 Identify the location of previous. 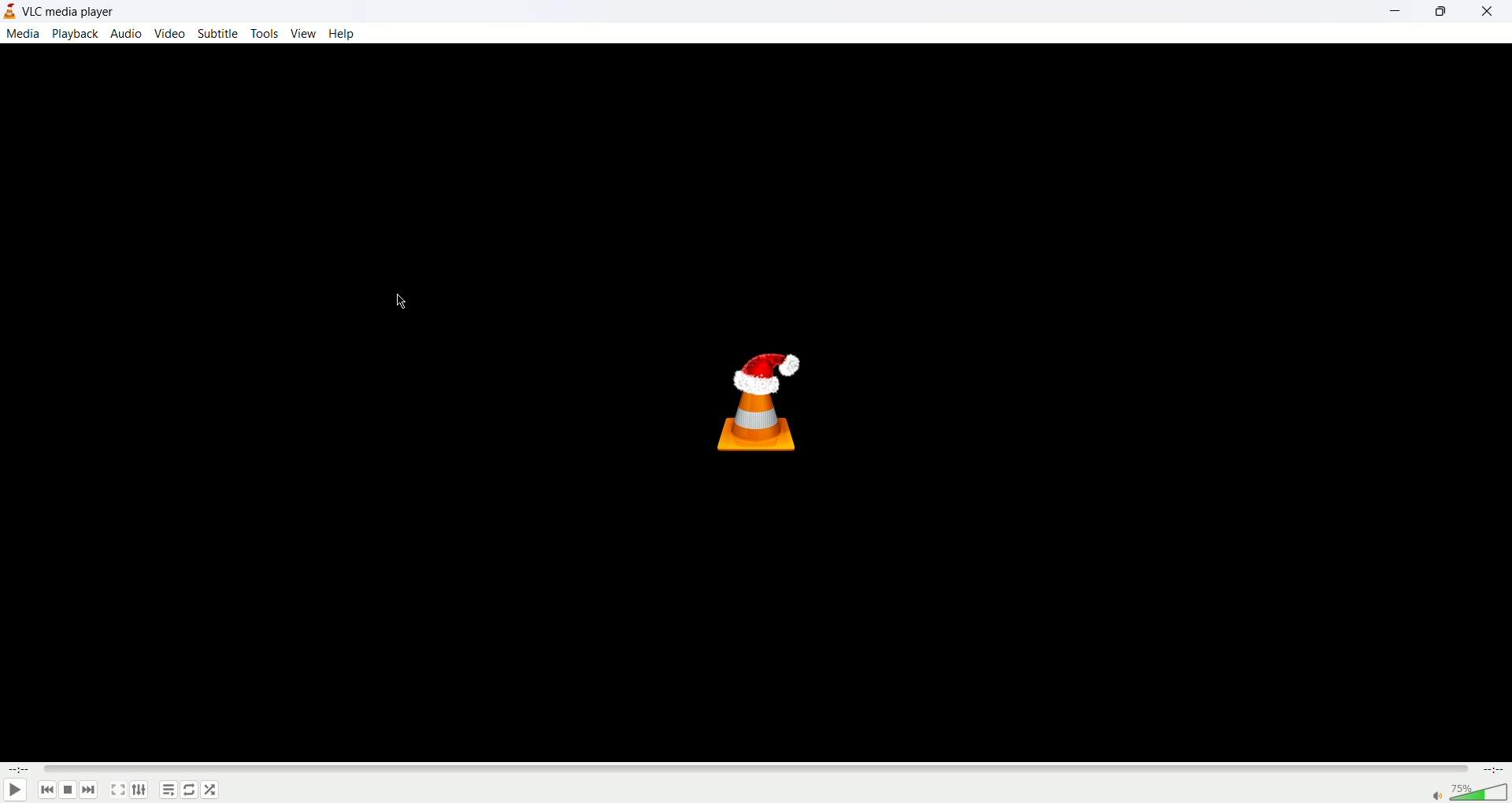
(46, 790).